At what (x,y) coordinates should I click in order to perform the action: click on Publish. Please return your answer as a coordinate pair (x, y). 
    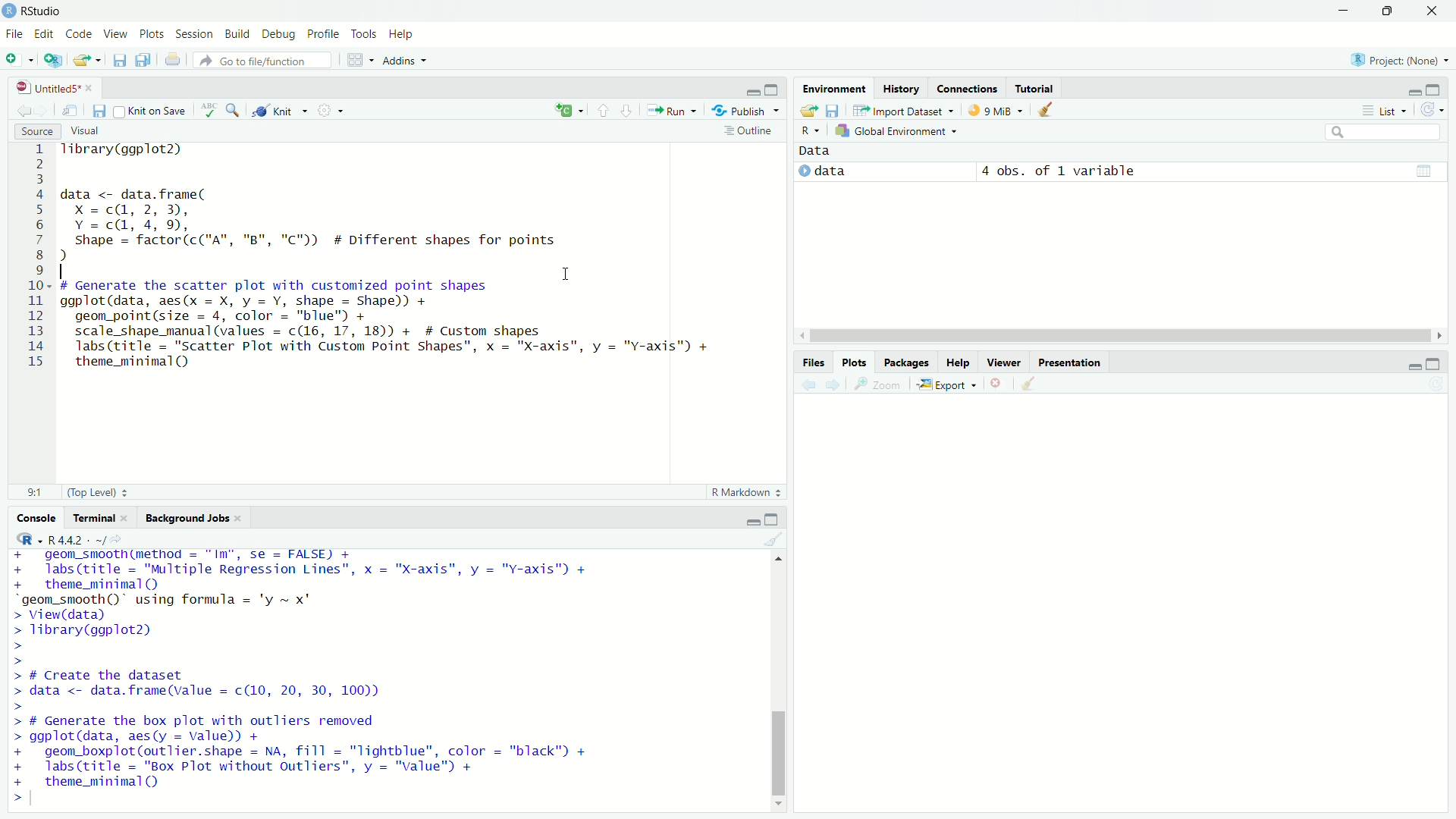
    Looking at the image, I should click on (745, 110).